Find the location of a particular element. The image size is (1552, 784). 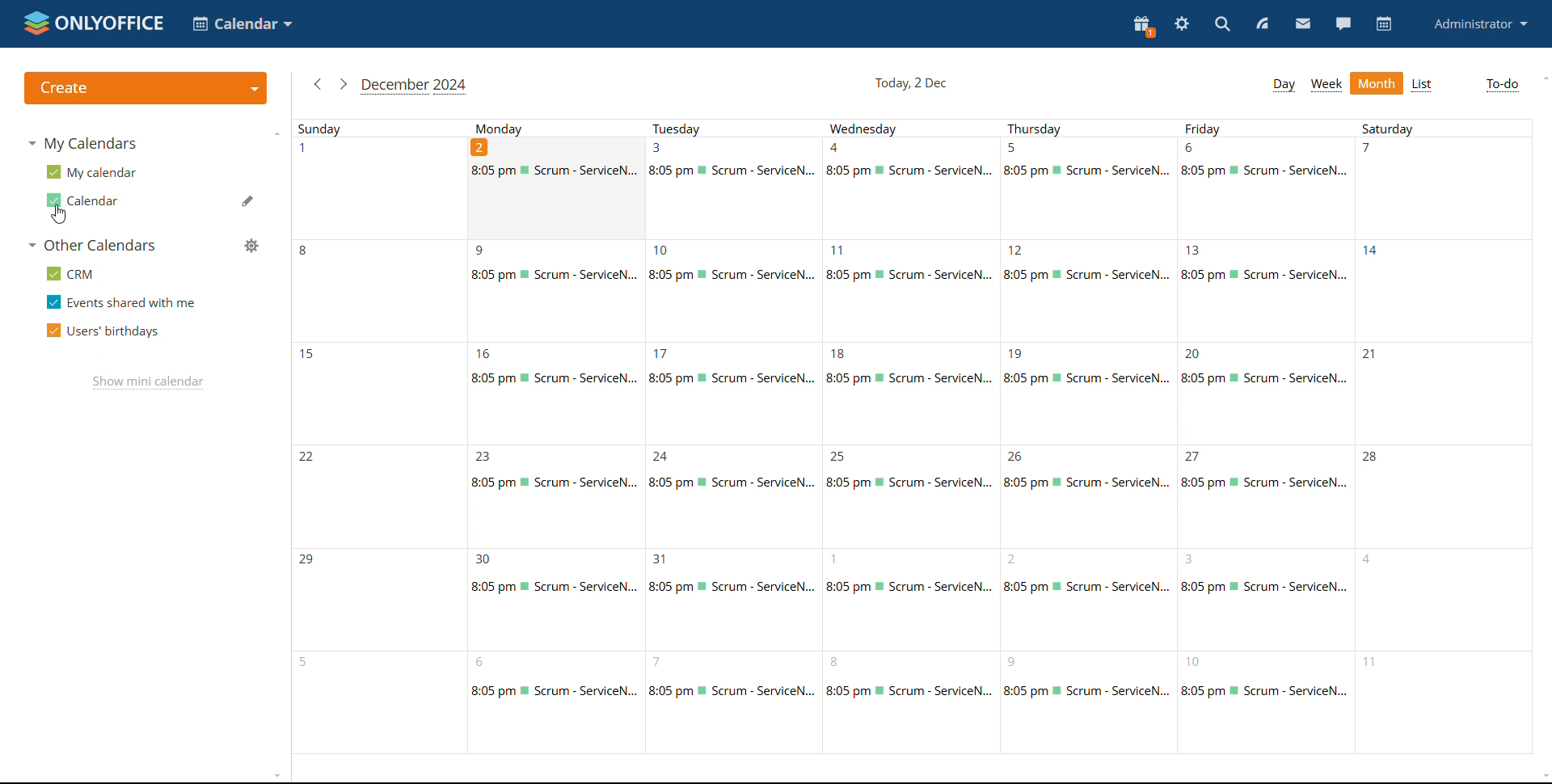

9 is located at coordinates (558, 289).